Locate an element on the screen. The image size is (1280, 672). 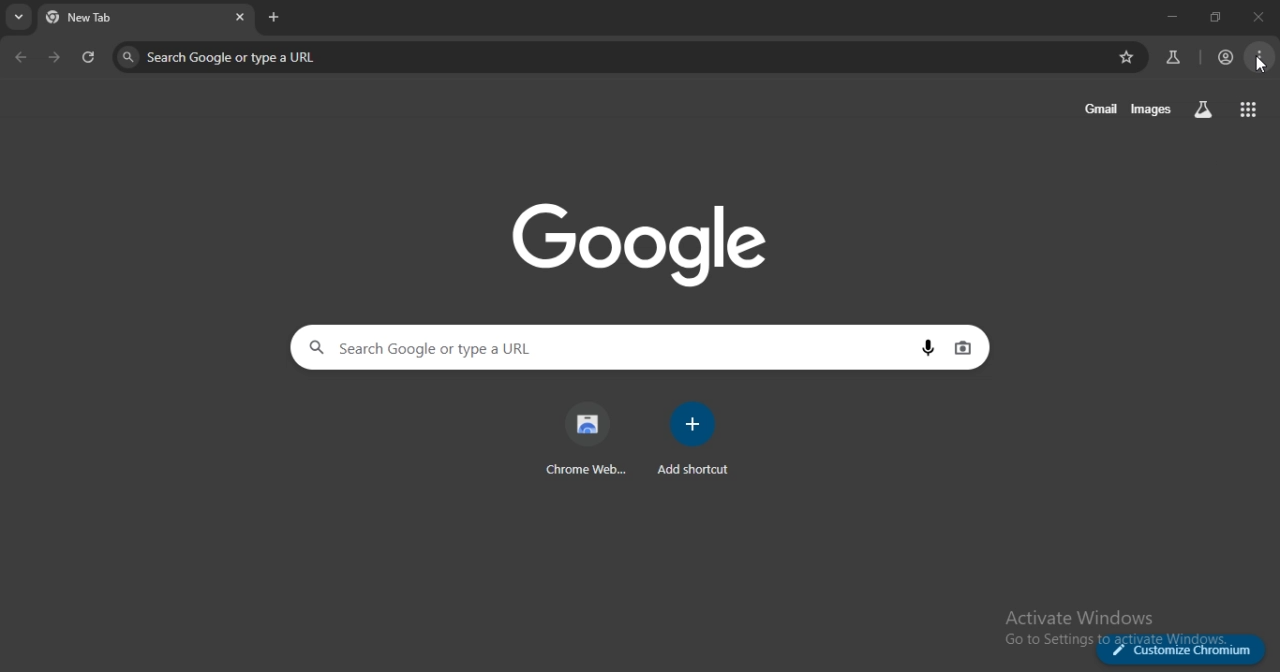
gmail is located at coordinates (1098, 107).